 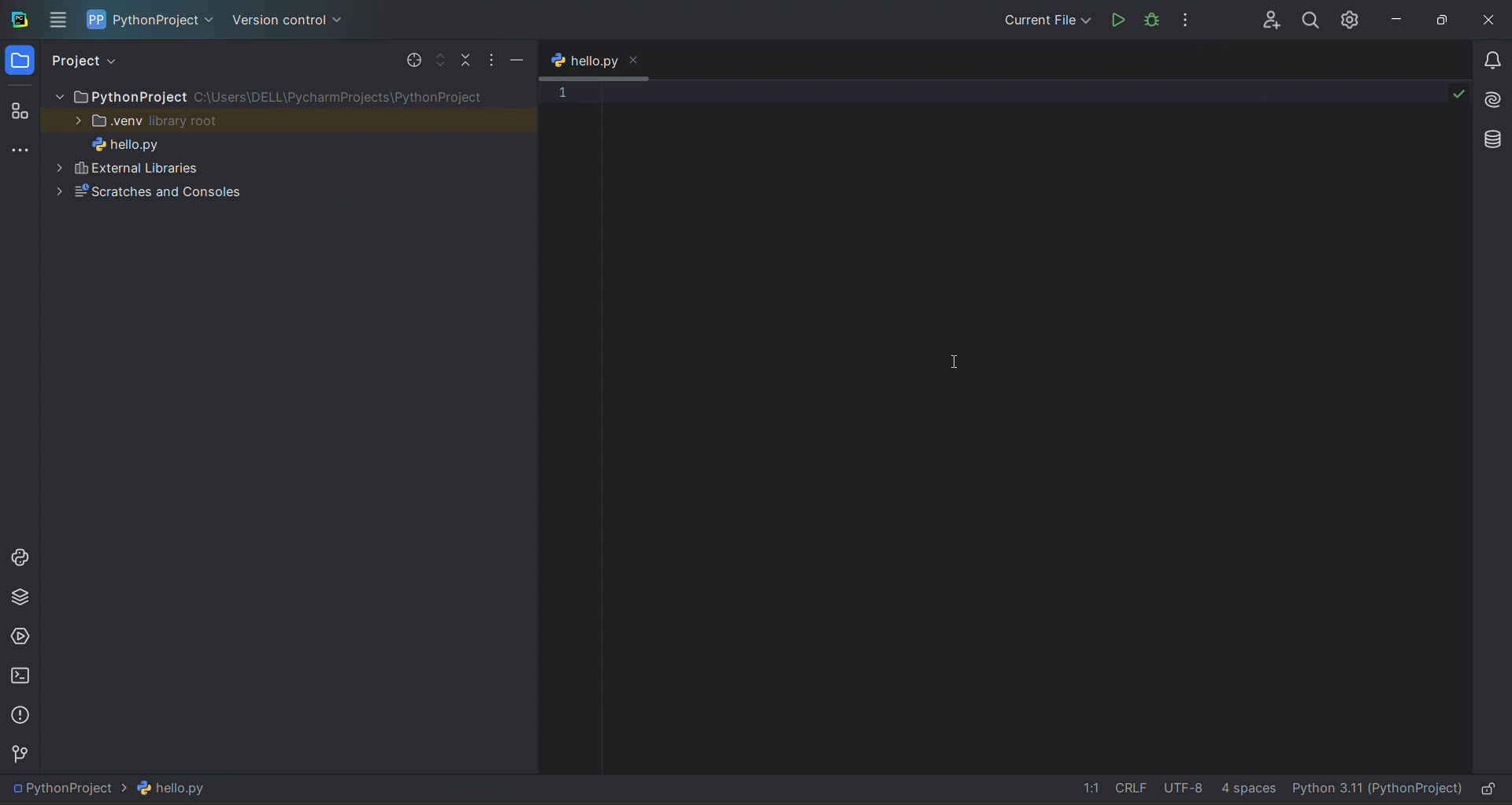 What do you see at coordinates (20, 751) in the screenshot?
I see `version control` at bounding box center [20, 751].